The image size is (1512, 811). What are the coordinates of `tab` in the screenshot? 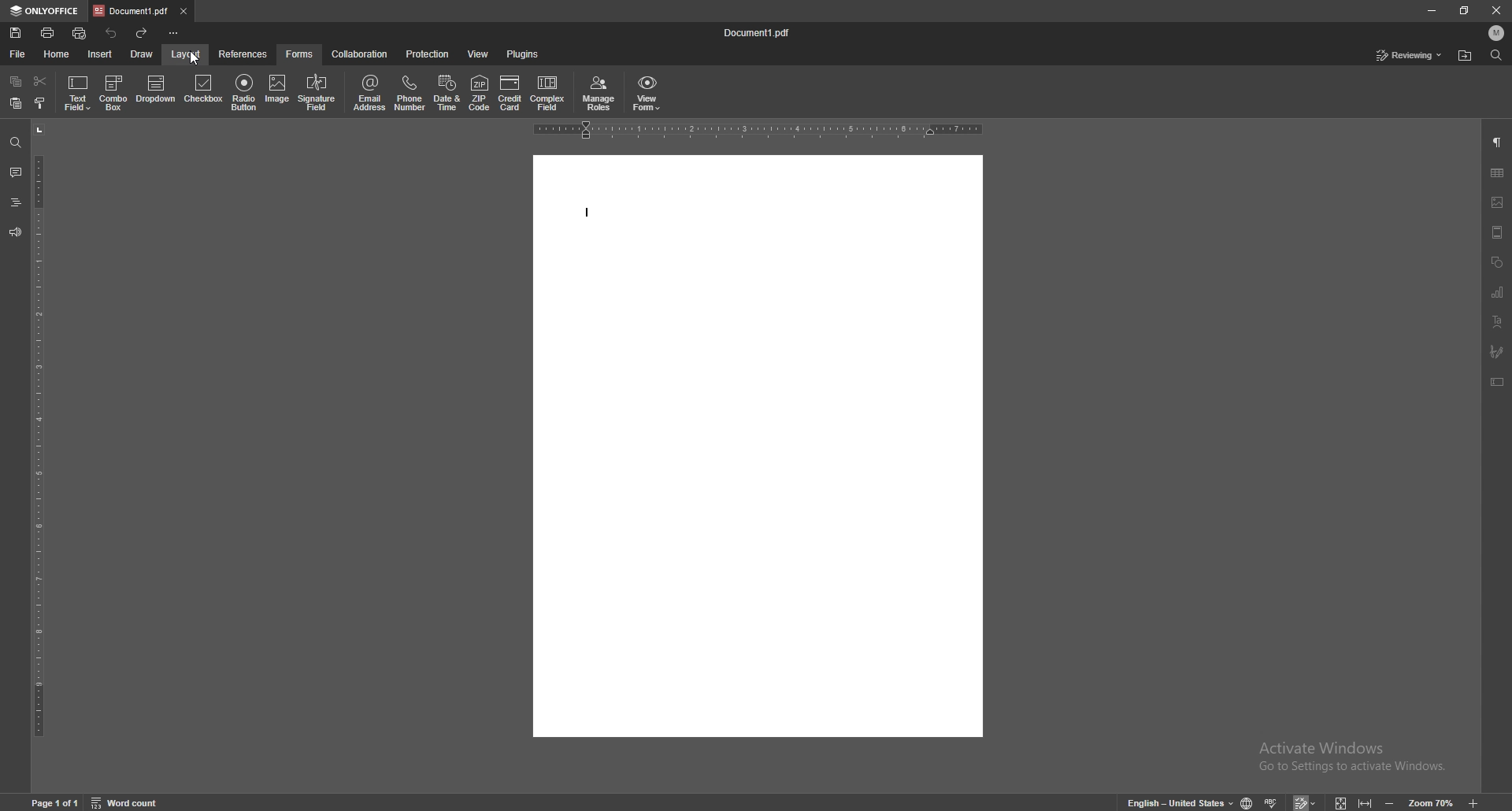 It's located at (131, 11).